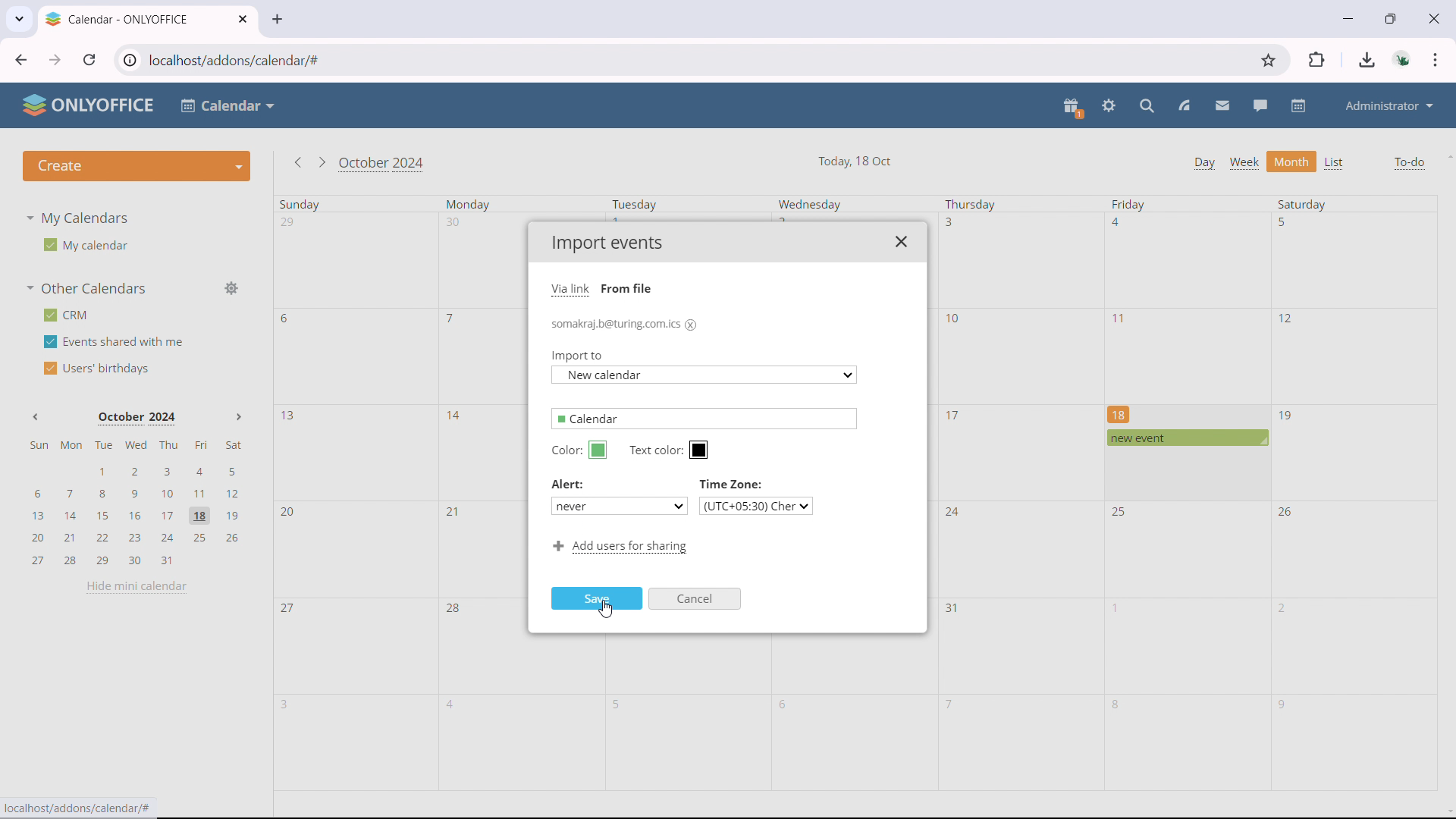 The image size is (1456, 819). Describe the element at coordinates (636, 205) in the screenshot. I see `Tuesday` at that location.